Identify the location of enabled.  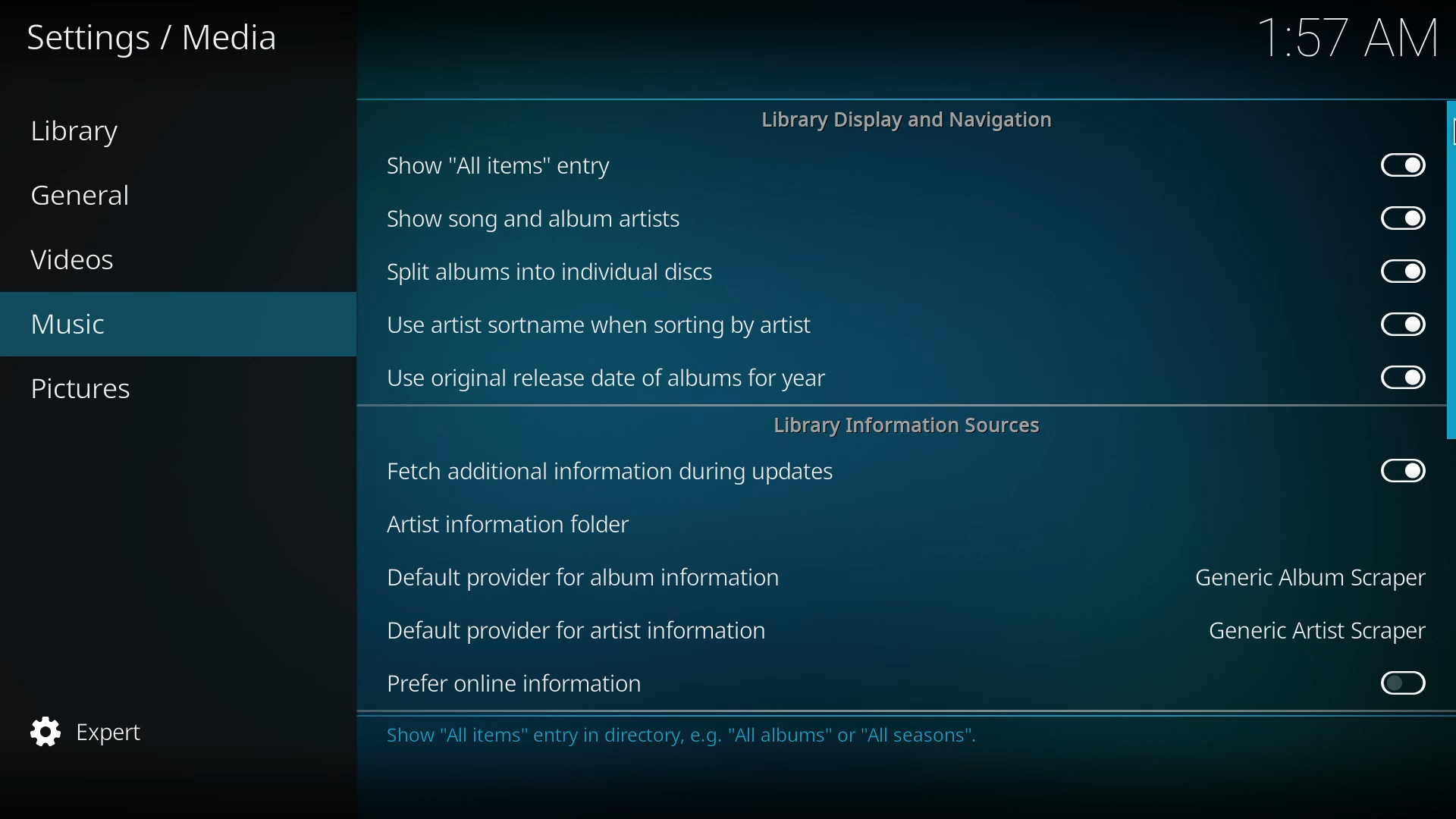
(1402, 165).